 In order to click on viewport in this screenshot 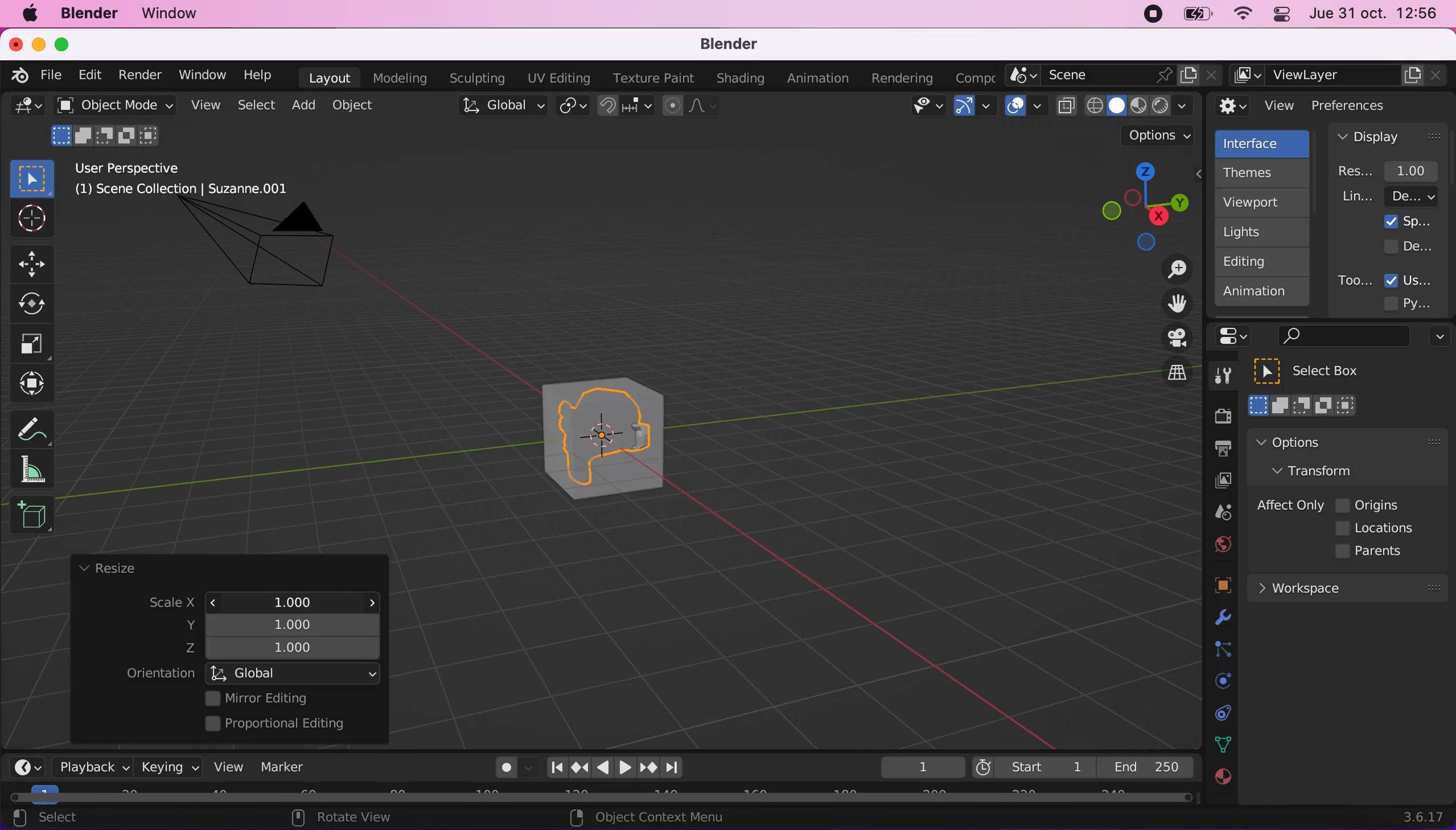, I will do `click(1265, 202)`.